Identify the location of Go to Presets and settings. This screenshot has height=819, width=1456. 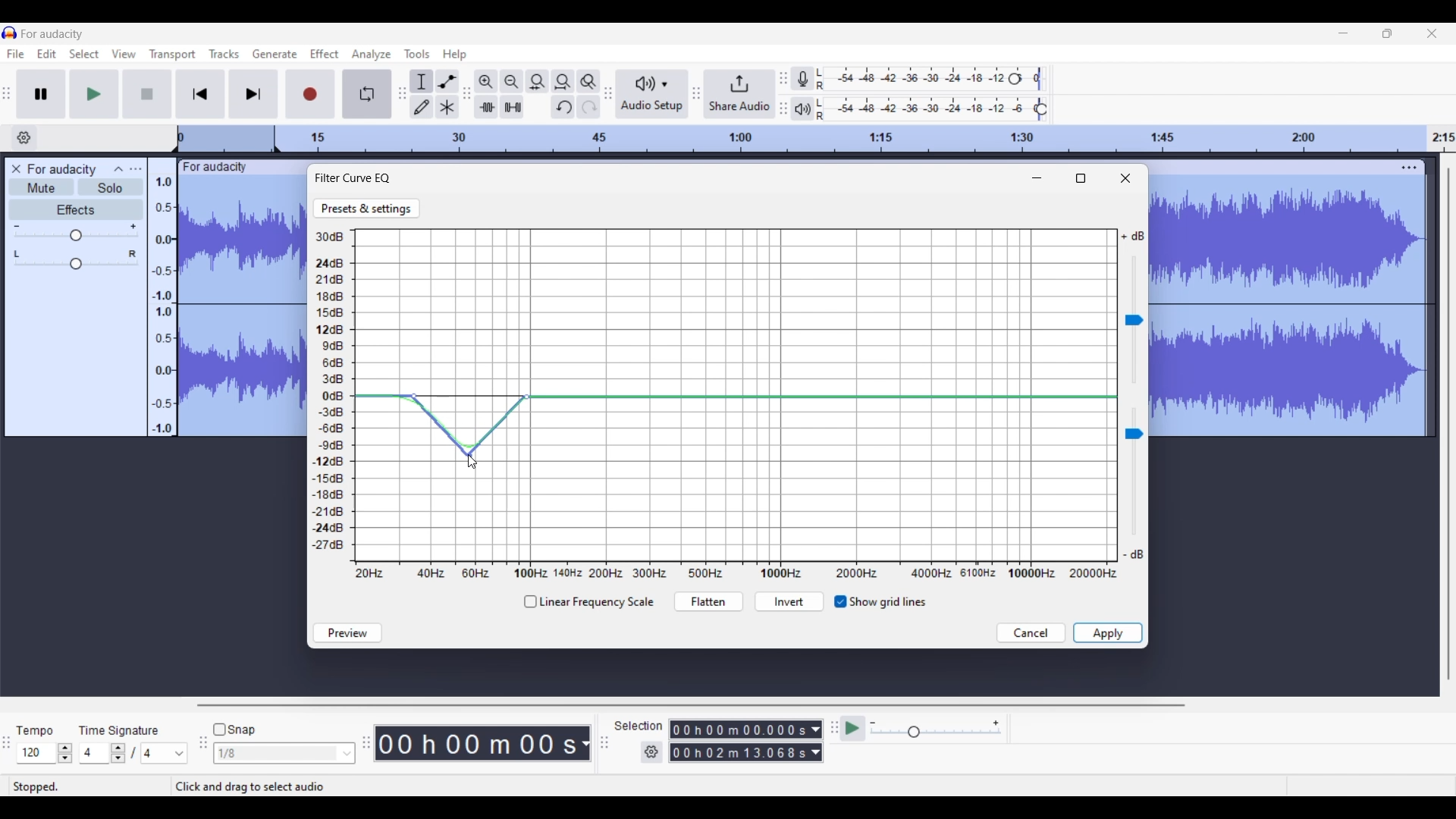
(367, 209).